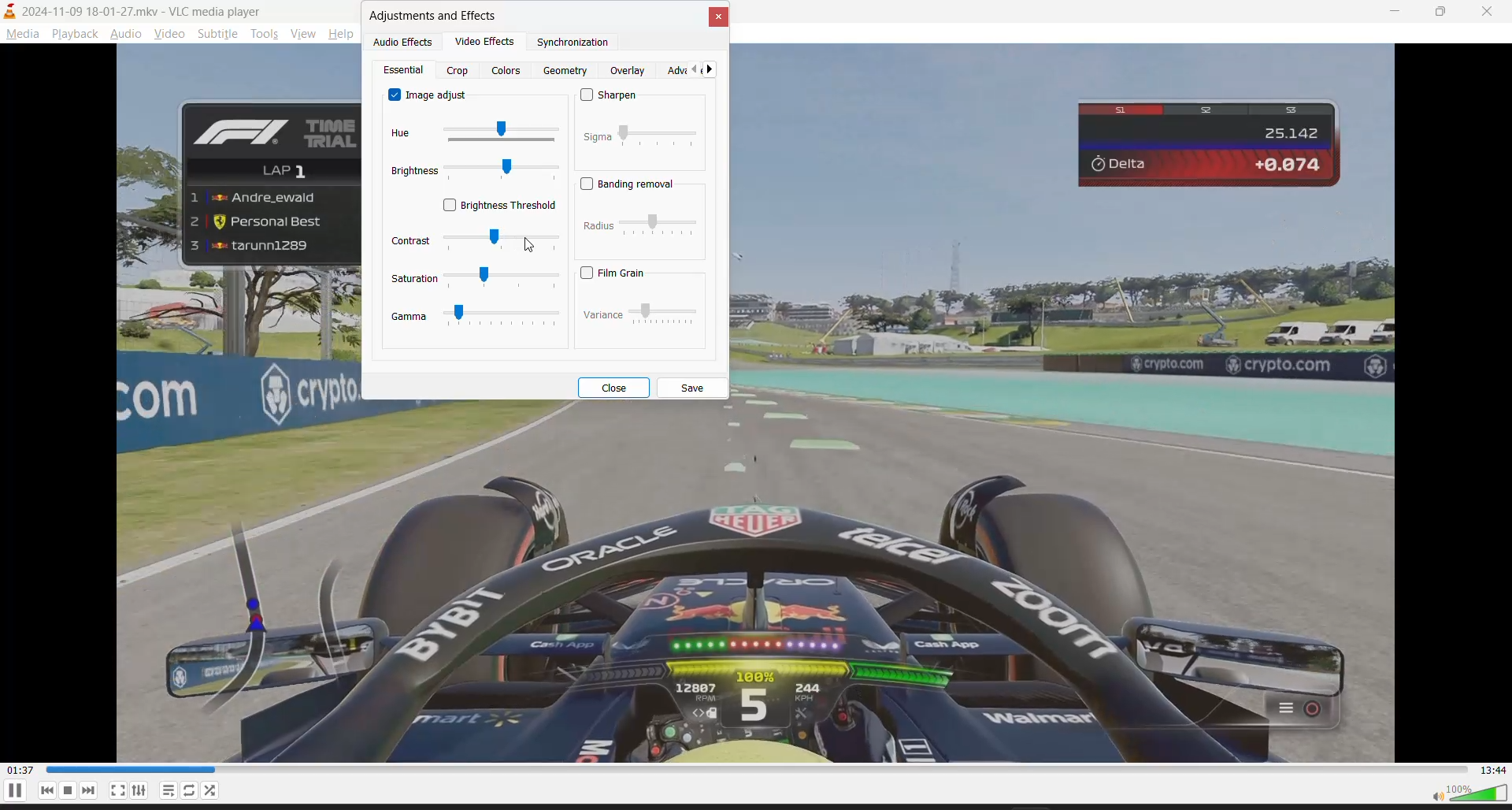 The image size is (1512, 810). What do you see at coordinates (694, 388) in the screenshot?
I see `save` at bounding box center [694, 388].